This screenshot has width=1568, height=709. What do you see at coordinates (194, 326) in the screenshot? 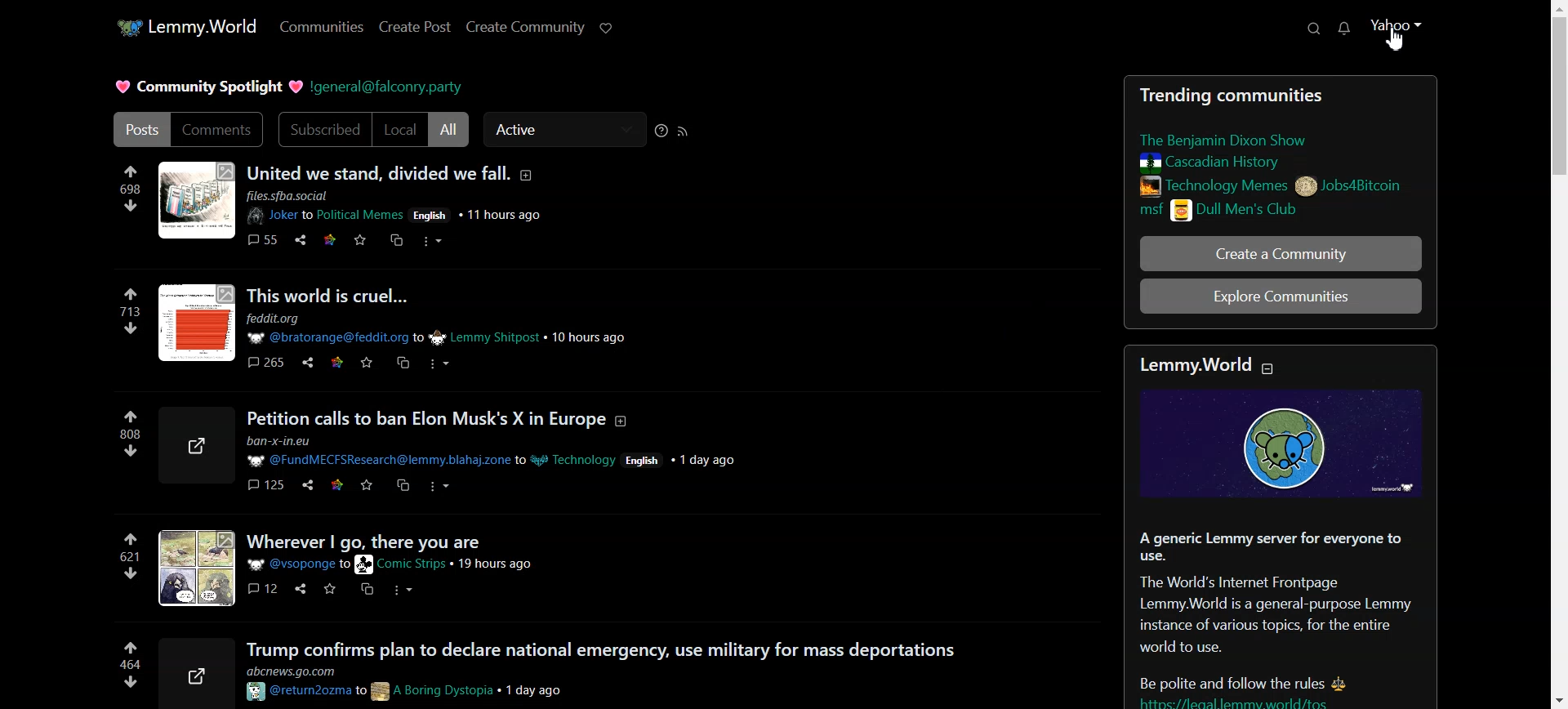
I see `profile picture` at bounding box center [194, 326].